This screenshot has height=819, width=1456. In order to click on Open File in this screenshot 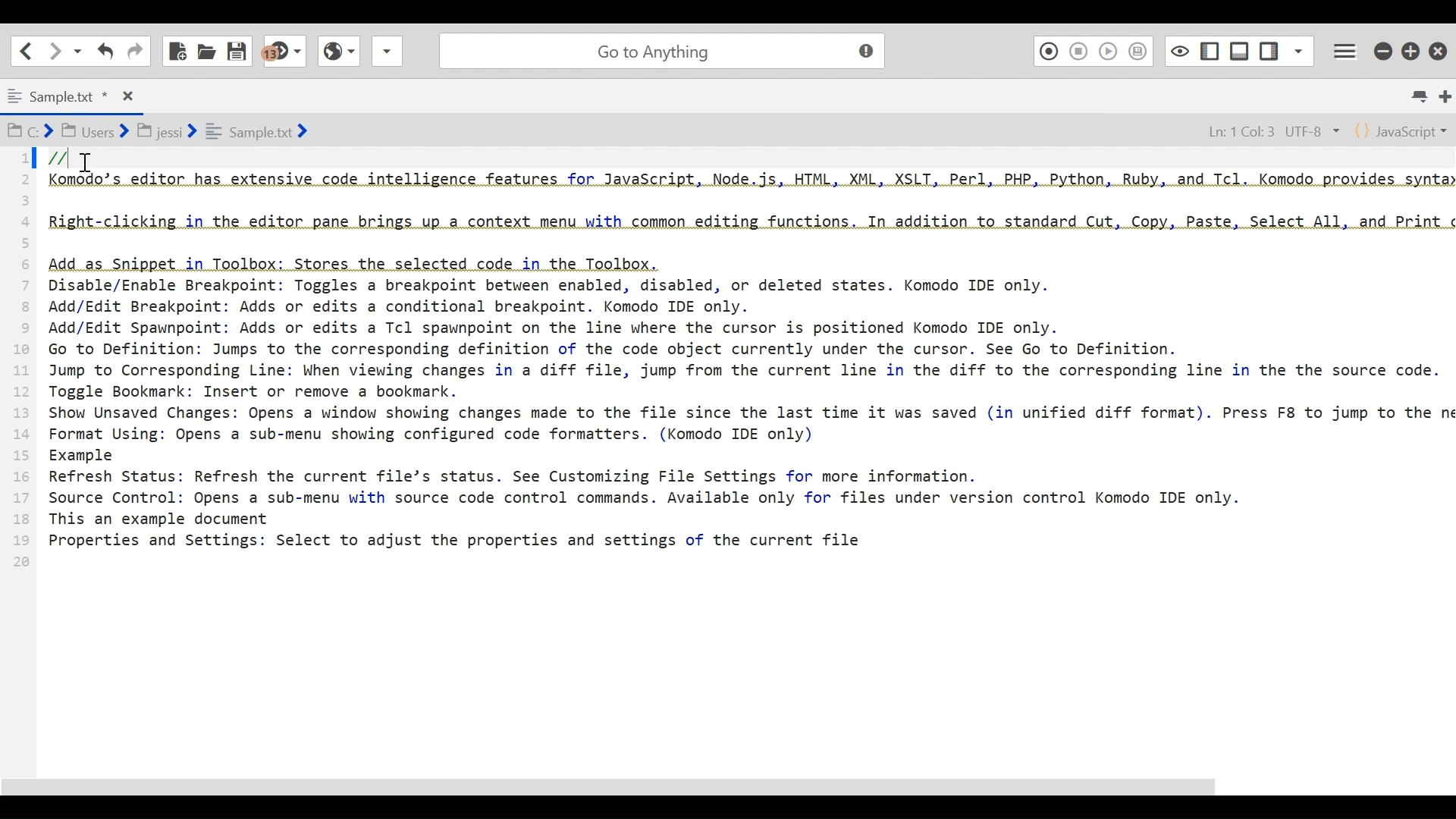, I will do `click(206, 49)`.